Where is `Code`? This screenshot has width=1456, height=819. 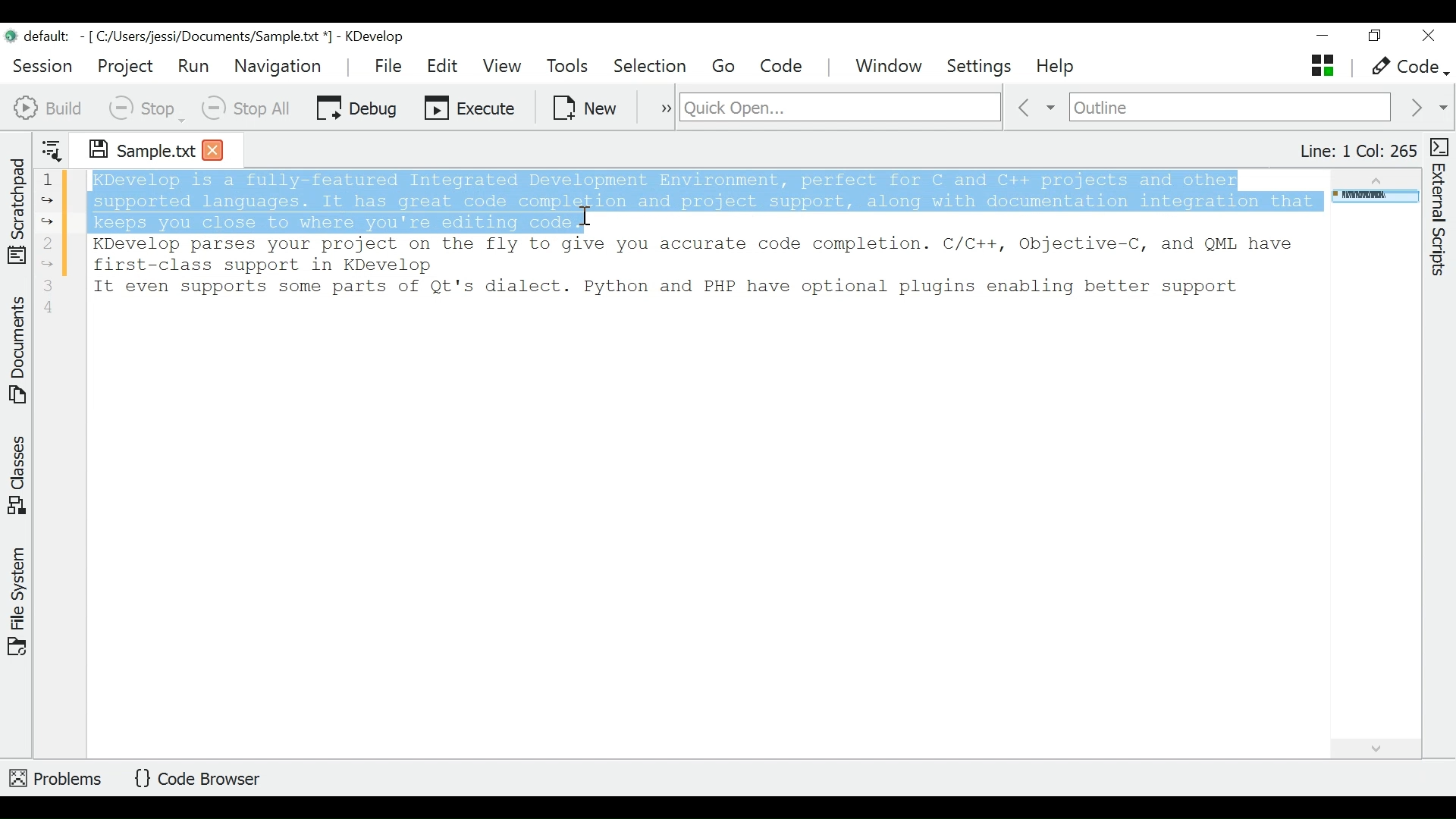 Code is located at coordinates (1407, 67).